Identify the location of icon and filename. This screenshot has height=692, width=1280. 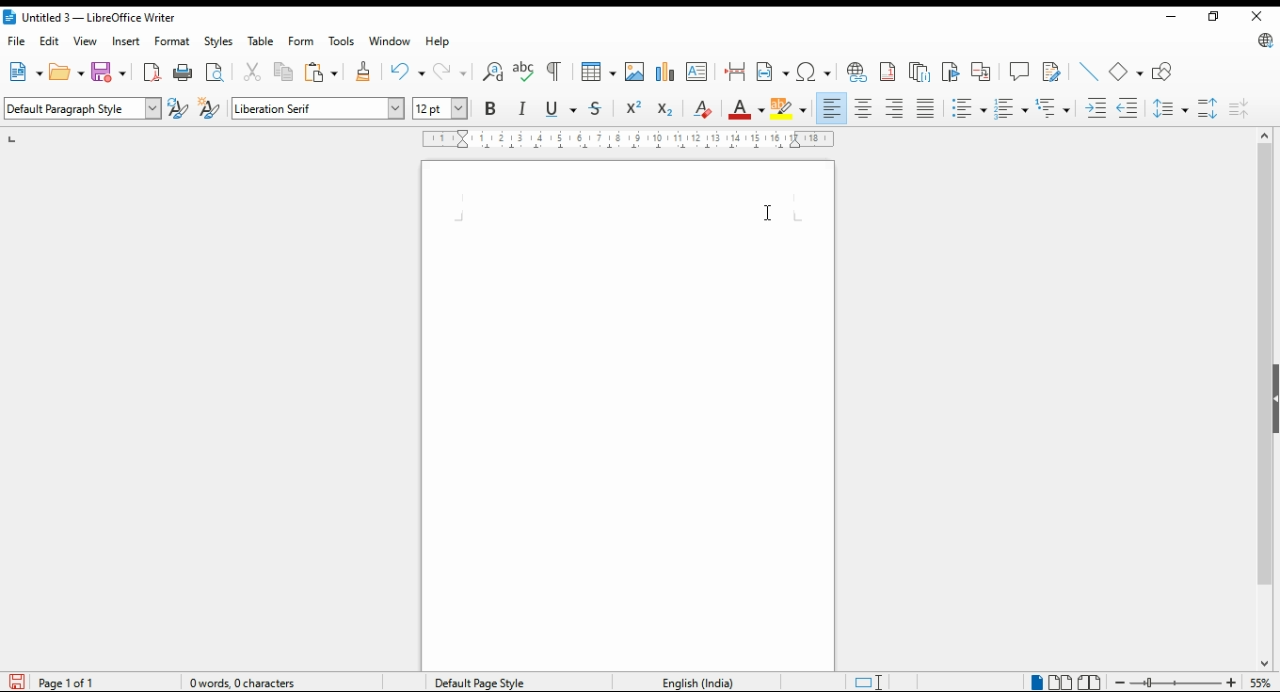
(91, 19).